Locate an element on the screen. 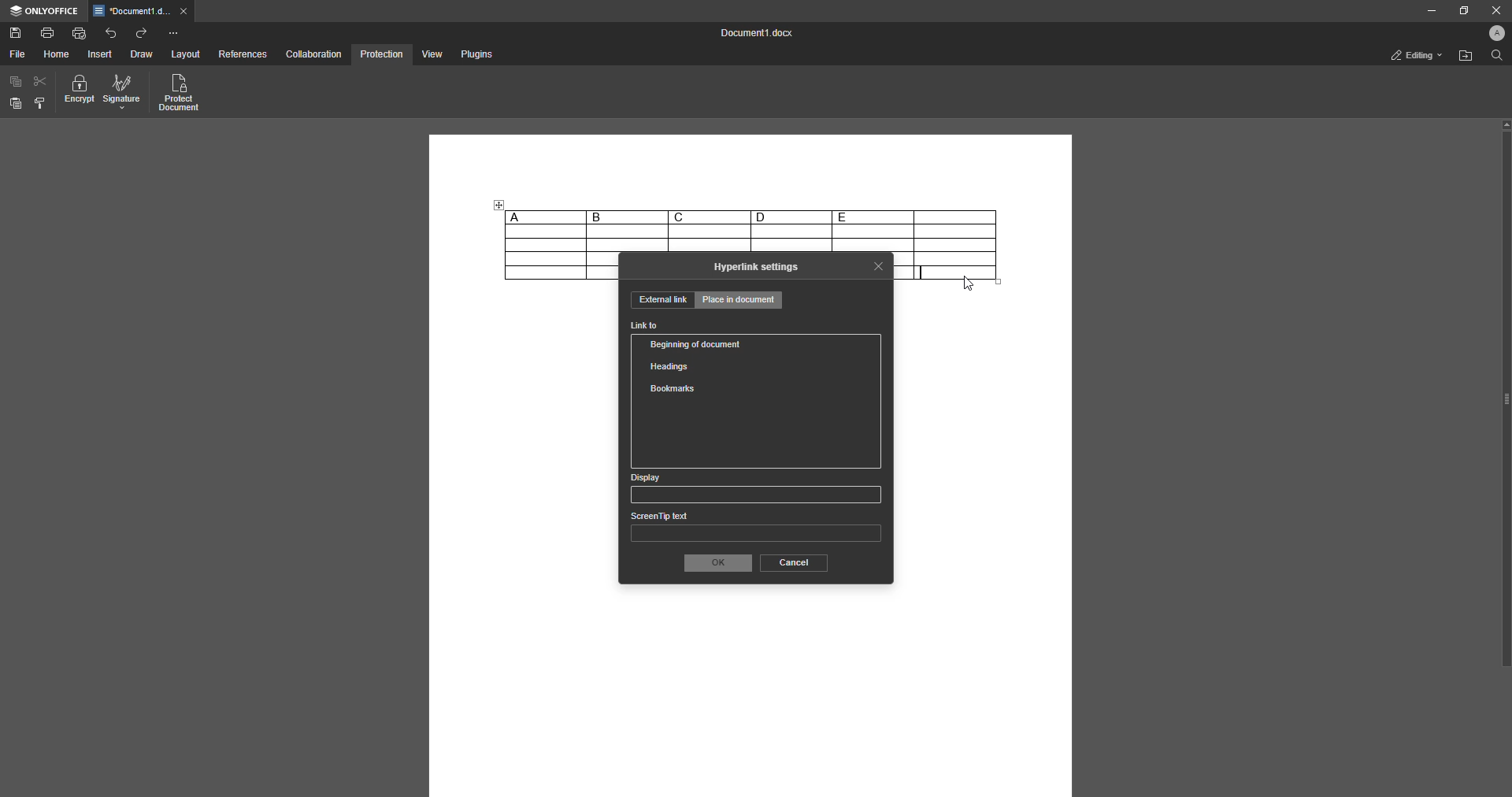 Image resolution: width=1512 pixels, height=797 pixels. Close is located at coordinates (879, 265).